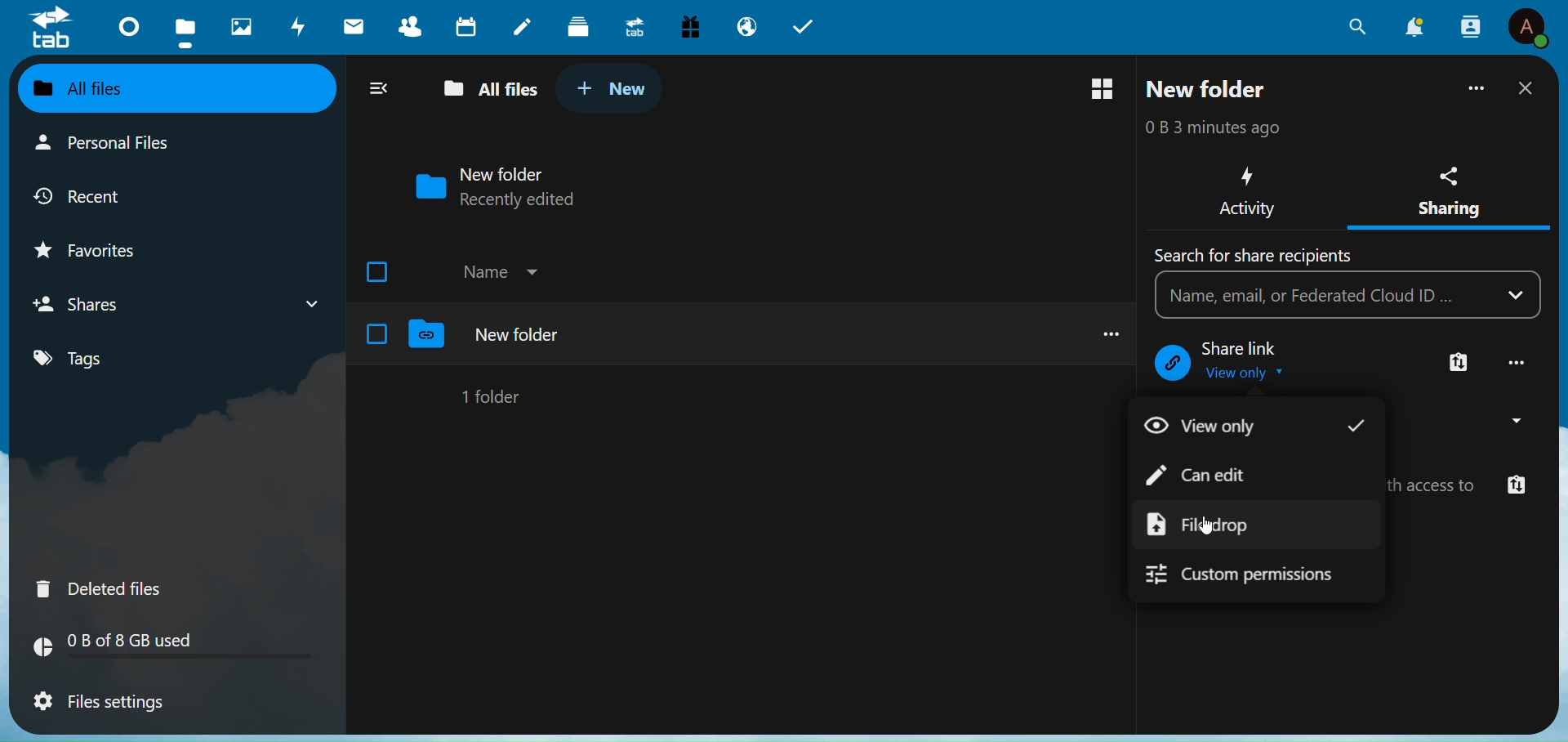 The image size is (1568, 742). I want to click on All Files, so click(485, 90).